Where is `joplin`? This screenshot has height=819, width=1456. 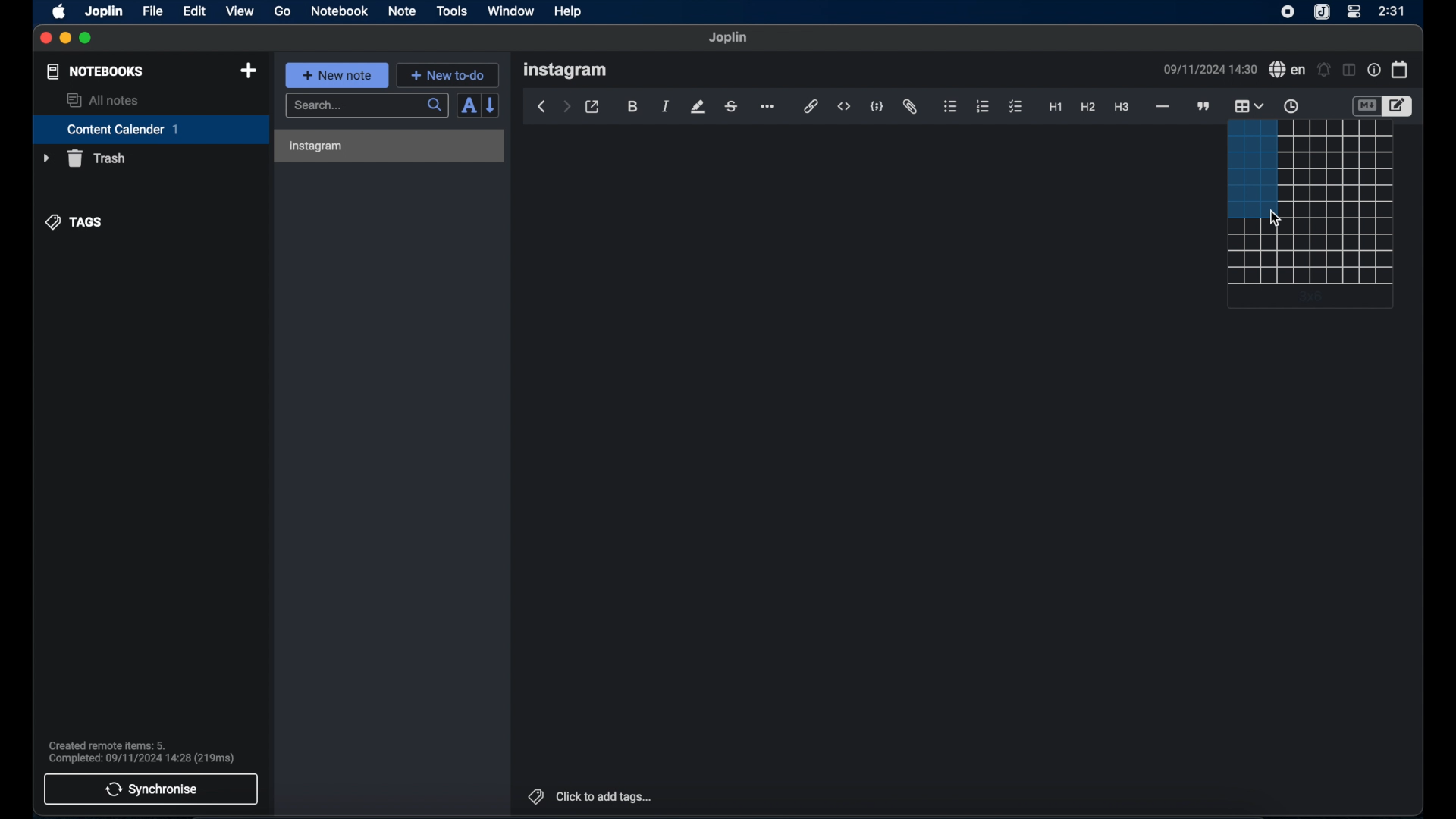
joplin is located at coordinates (104, 11).